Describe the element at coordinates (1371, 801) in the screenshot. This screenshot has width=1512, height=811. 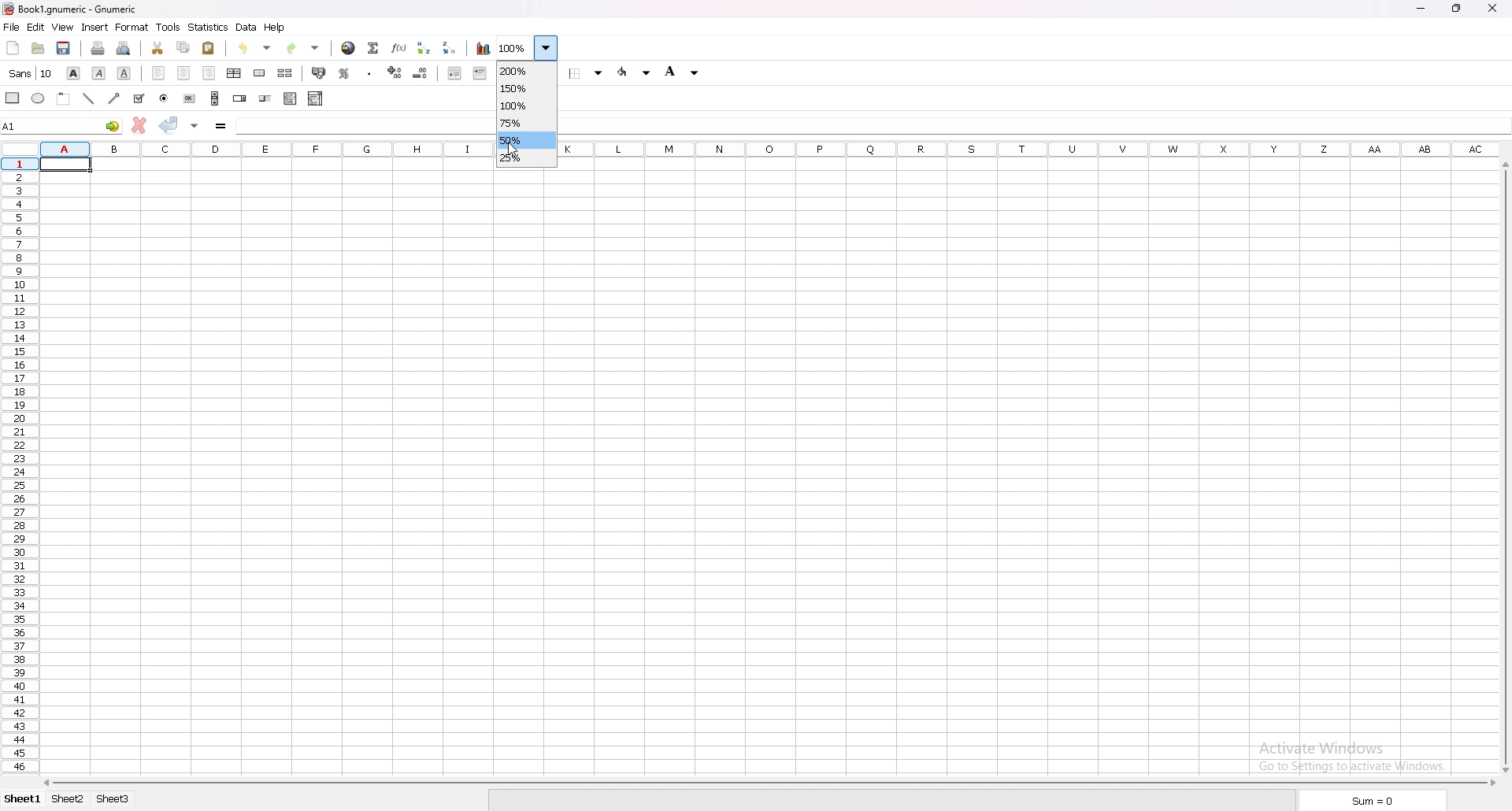
I see `sum` at that location.